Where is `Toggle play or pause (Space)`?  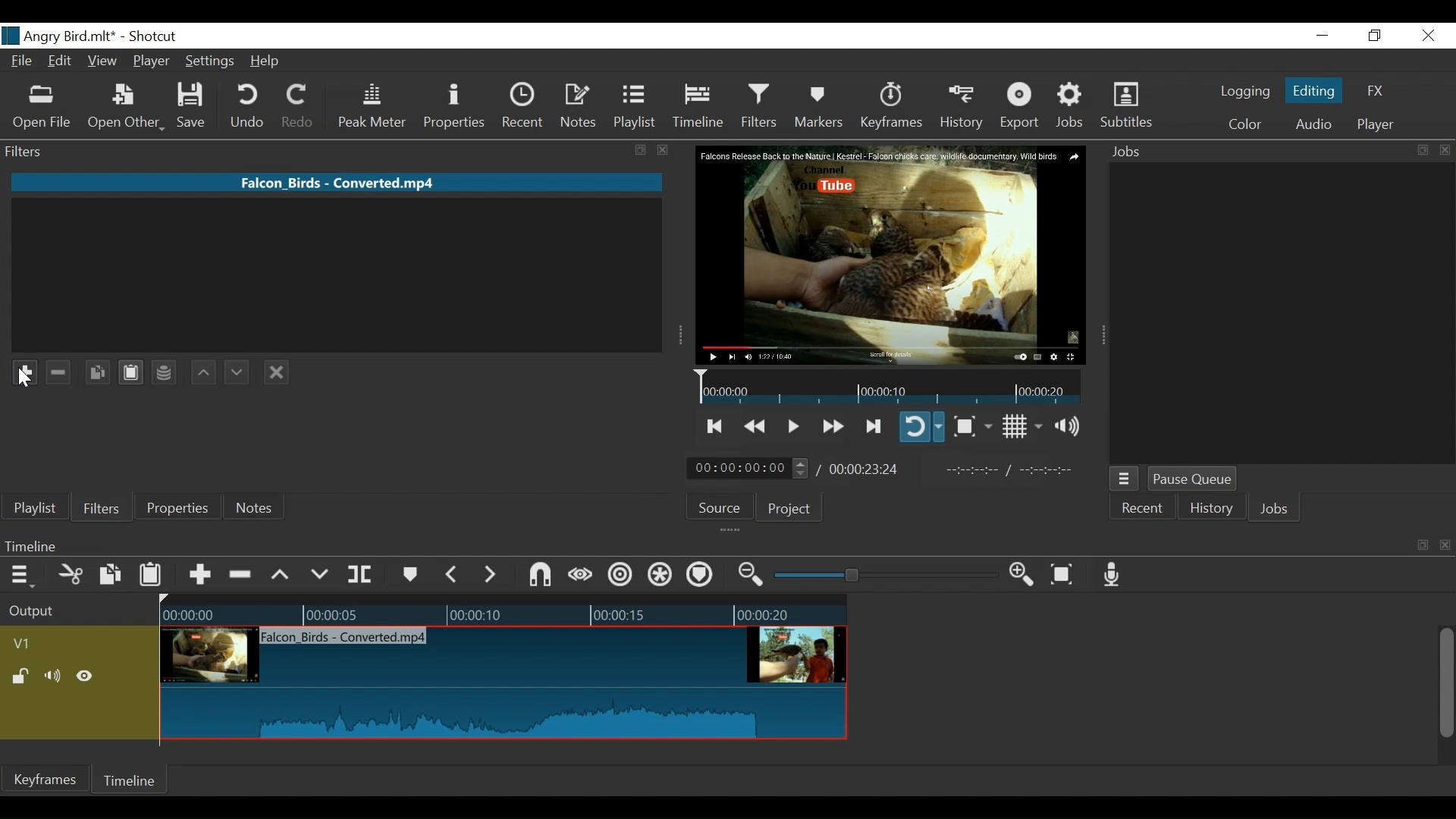 Toggle play or pause (Space) is located at coordinates (791, 428).